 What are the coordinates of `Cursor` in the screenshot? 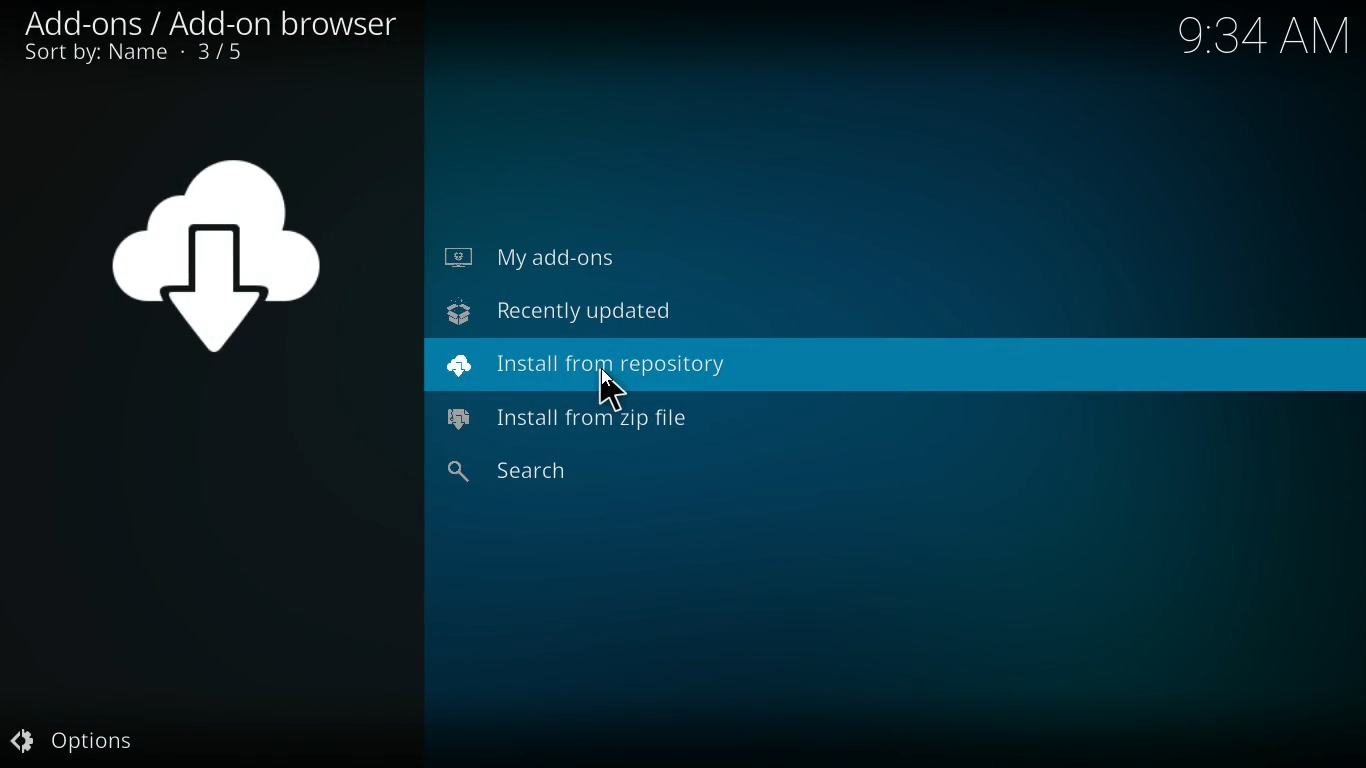 It's located at (609, 388).